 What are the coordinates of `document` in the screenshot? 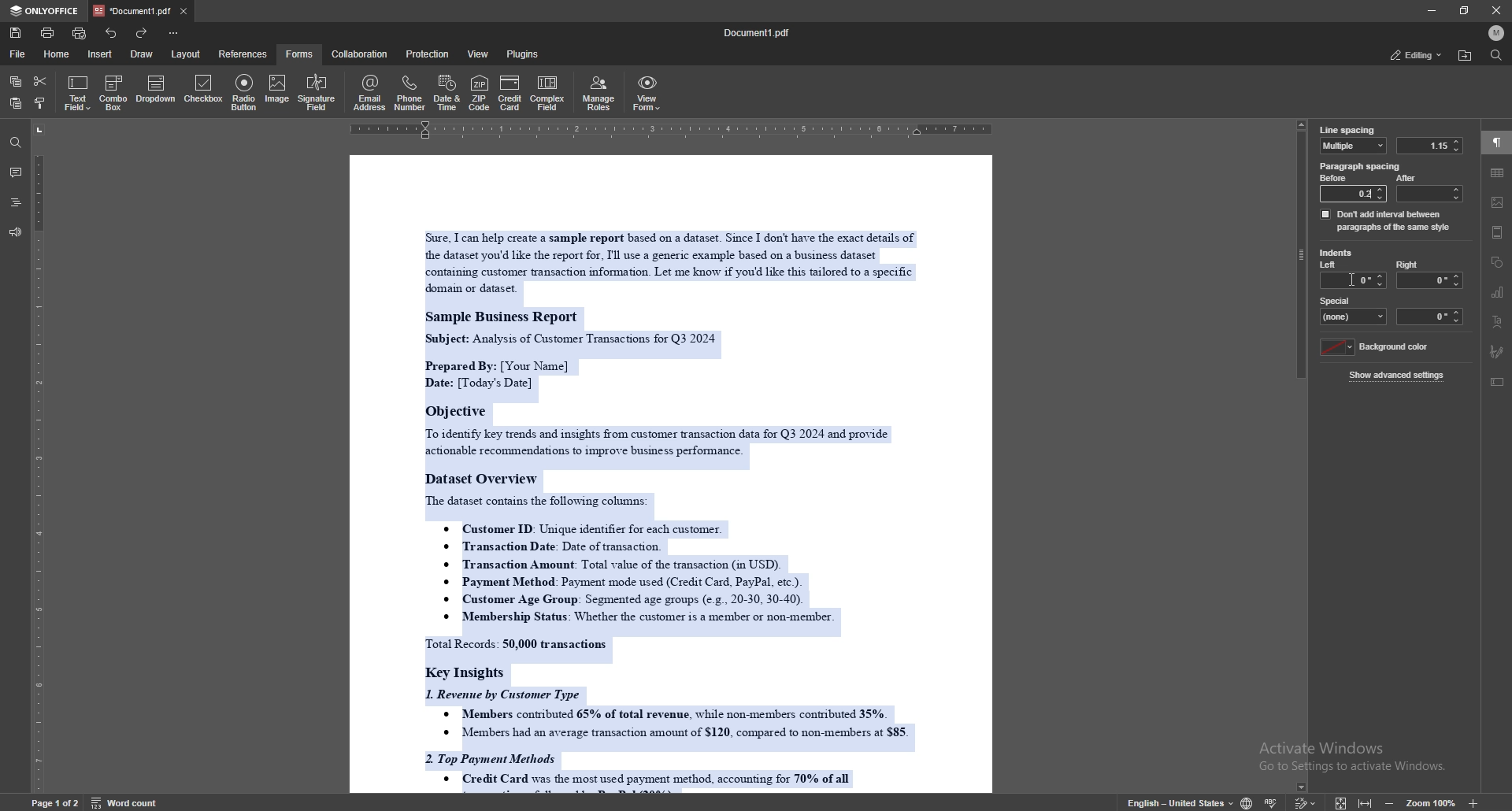 It's located at (668, 476).